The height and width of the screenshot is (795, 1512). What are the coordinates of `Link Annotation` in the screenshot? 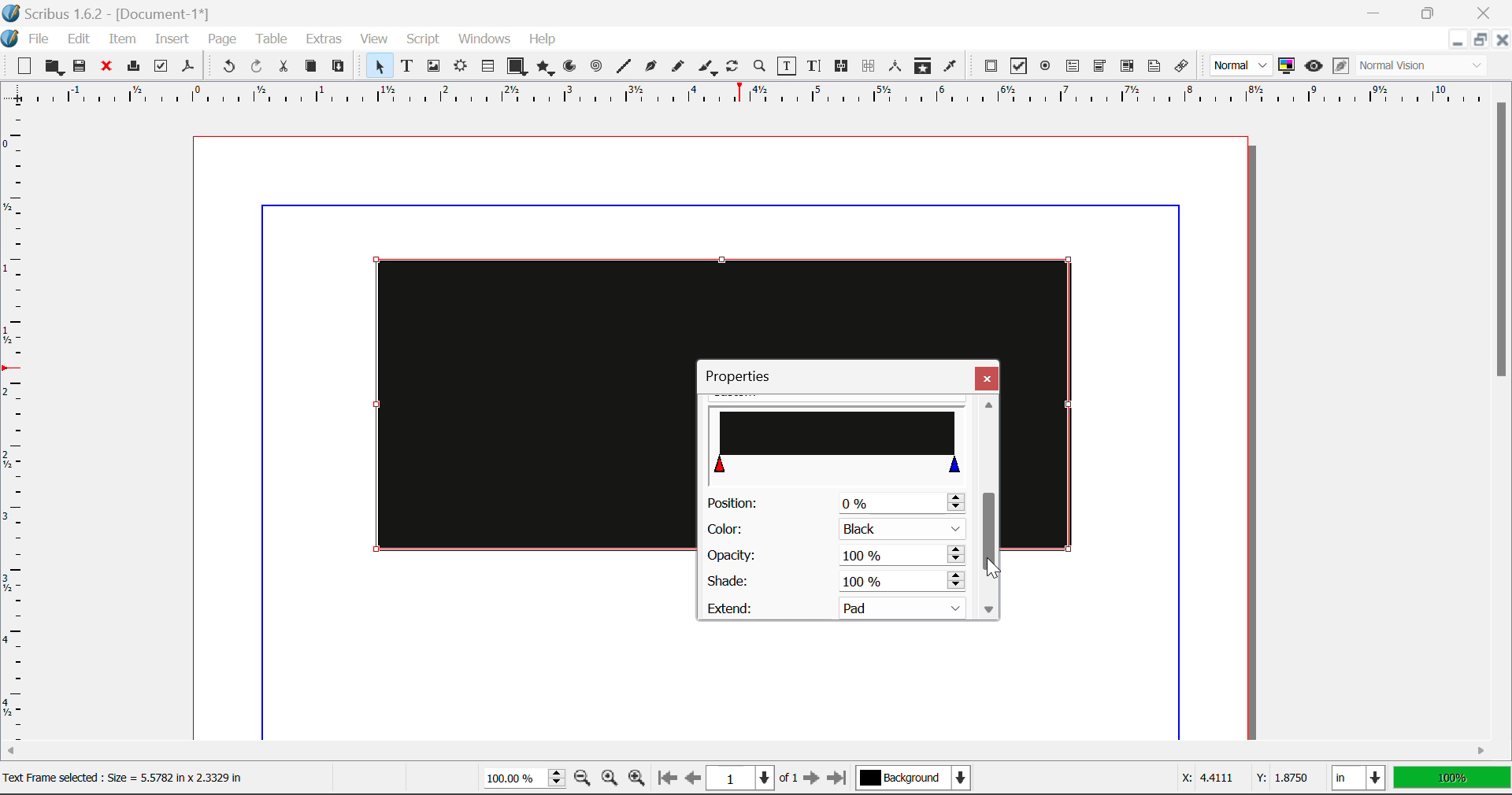 It's located at (1185, 67).